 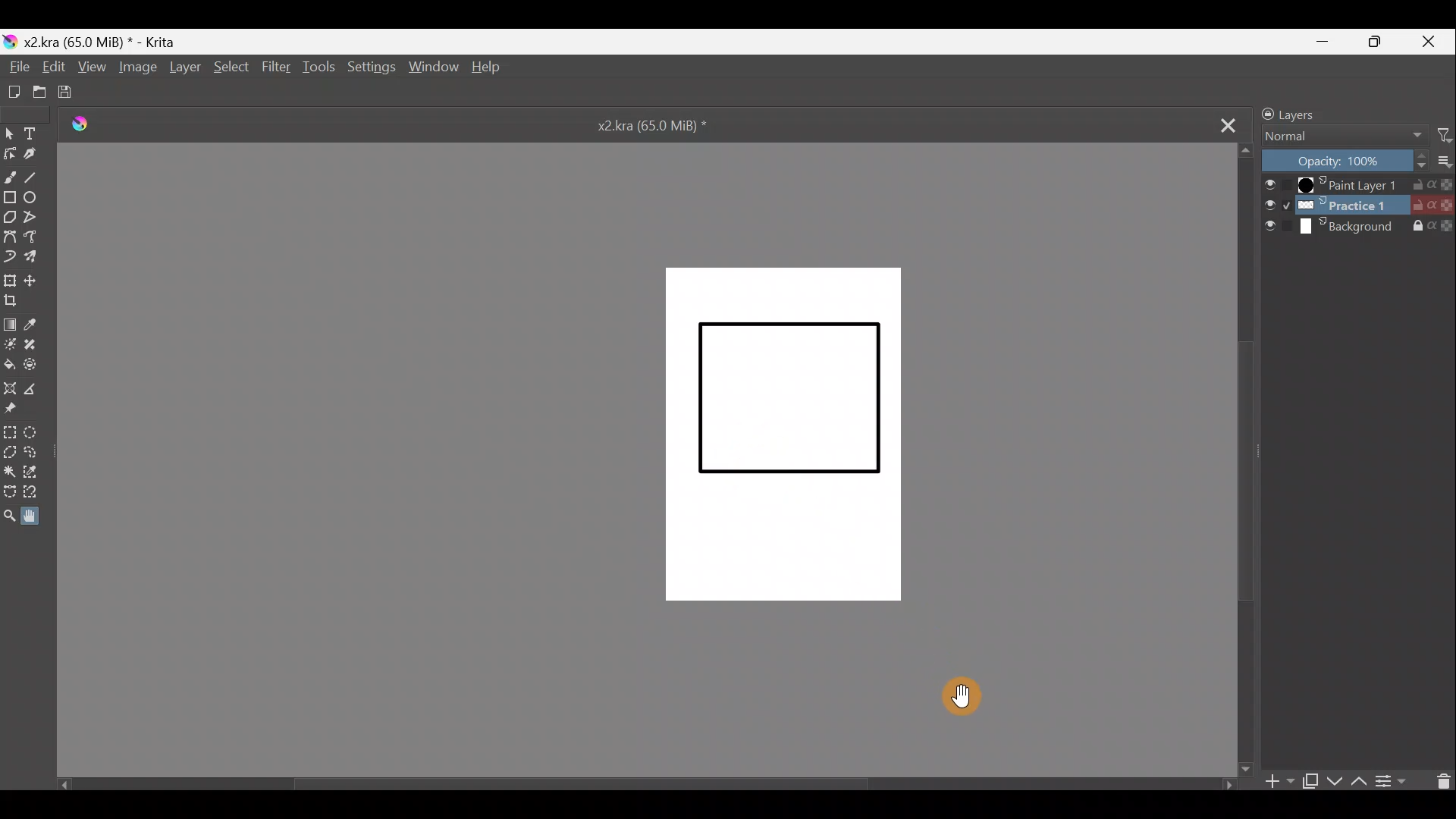 What do you see at coordinates (1355, 782) in the screenshot?
I see `Move layer/mask up` at bounding box center [1355, 782].